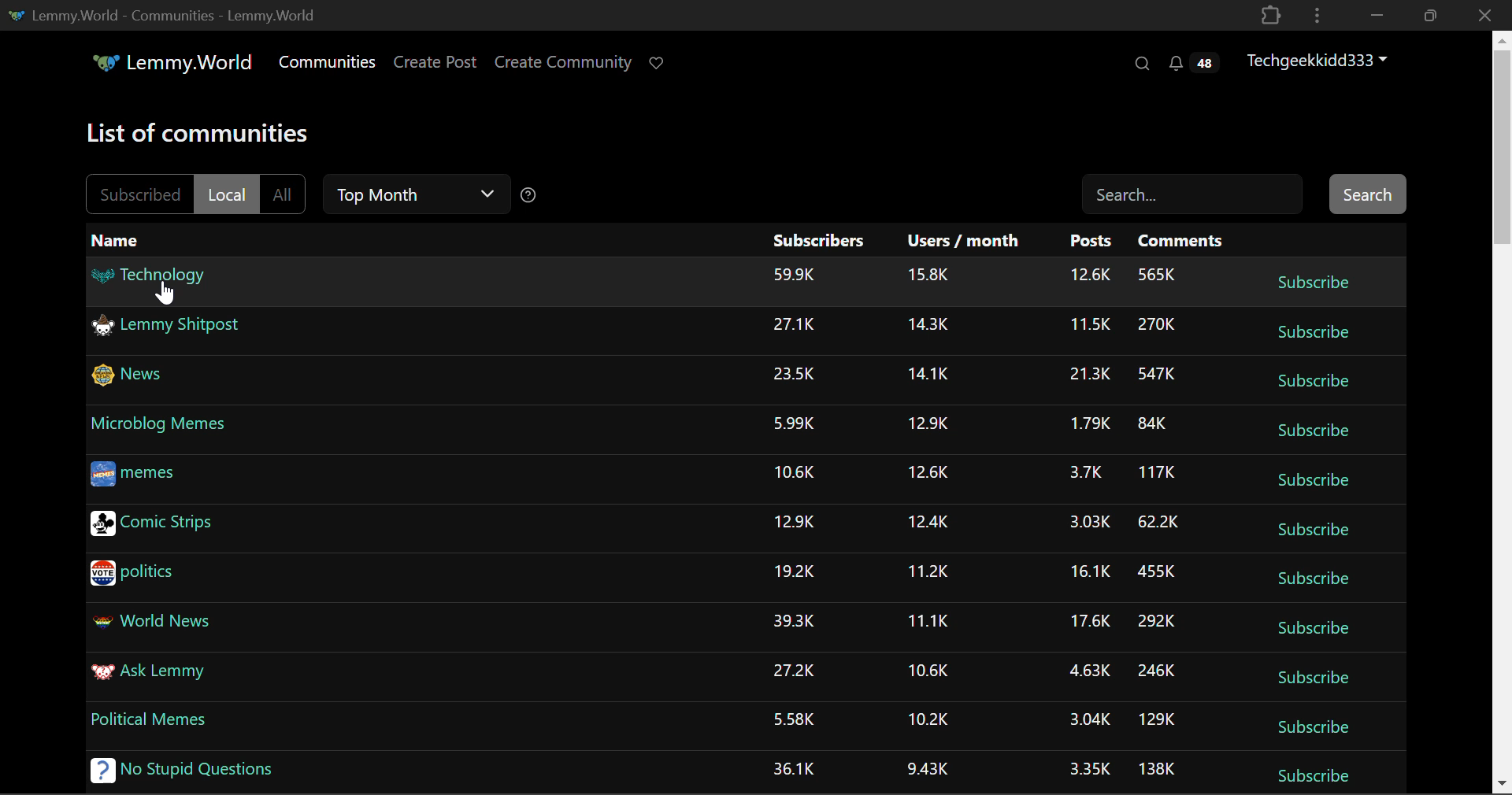  What do you see at coordinates (964, 241) in the screenshot?
I see `Users/month` at bounding box center [964, 241].